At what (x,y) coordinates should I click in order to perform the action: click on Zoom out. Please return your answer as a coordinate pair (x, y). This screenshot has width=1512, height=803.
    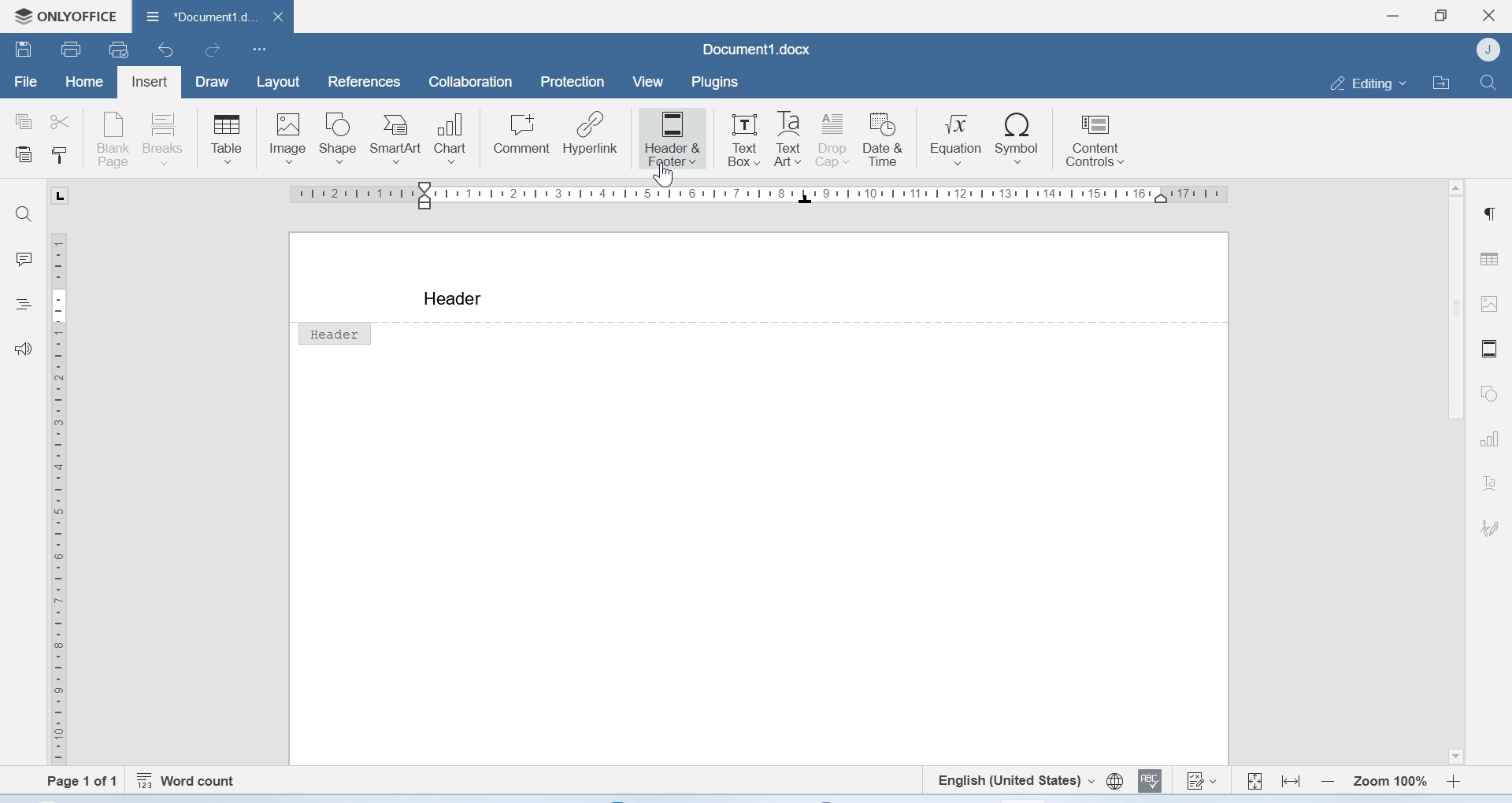
    Looking at the image, I should click on (1327, 780).